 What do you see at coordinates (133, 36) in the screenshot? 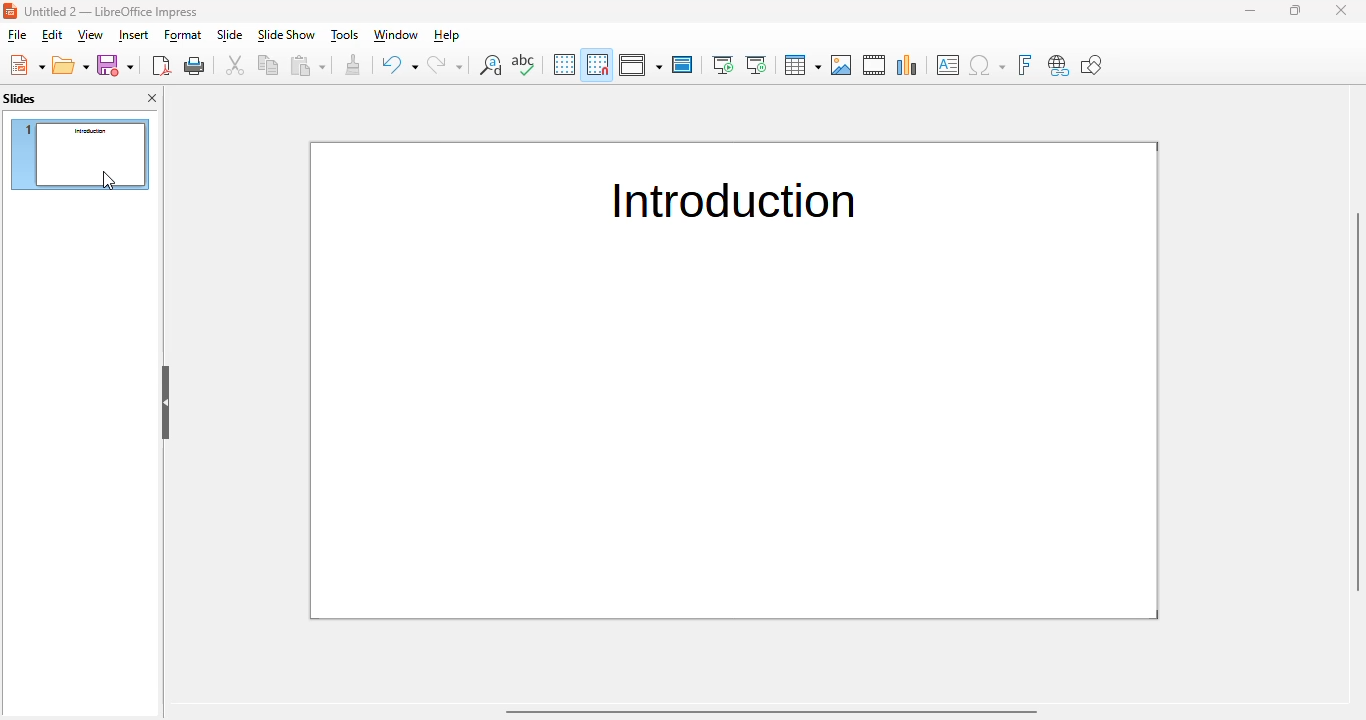
I see `insert` at bounding box center [133, 36].